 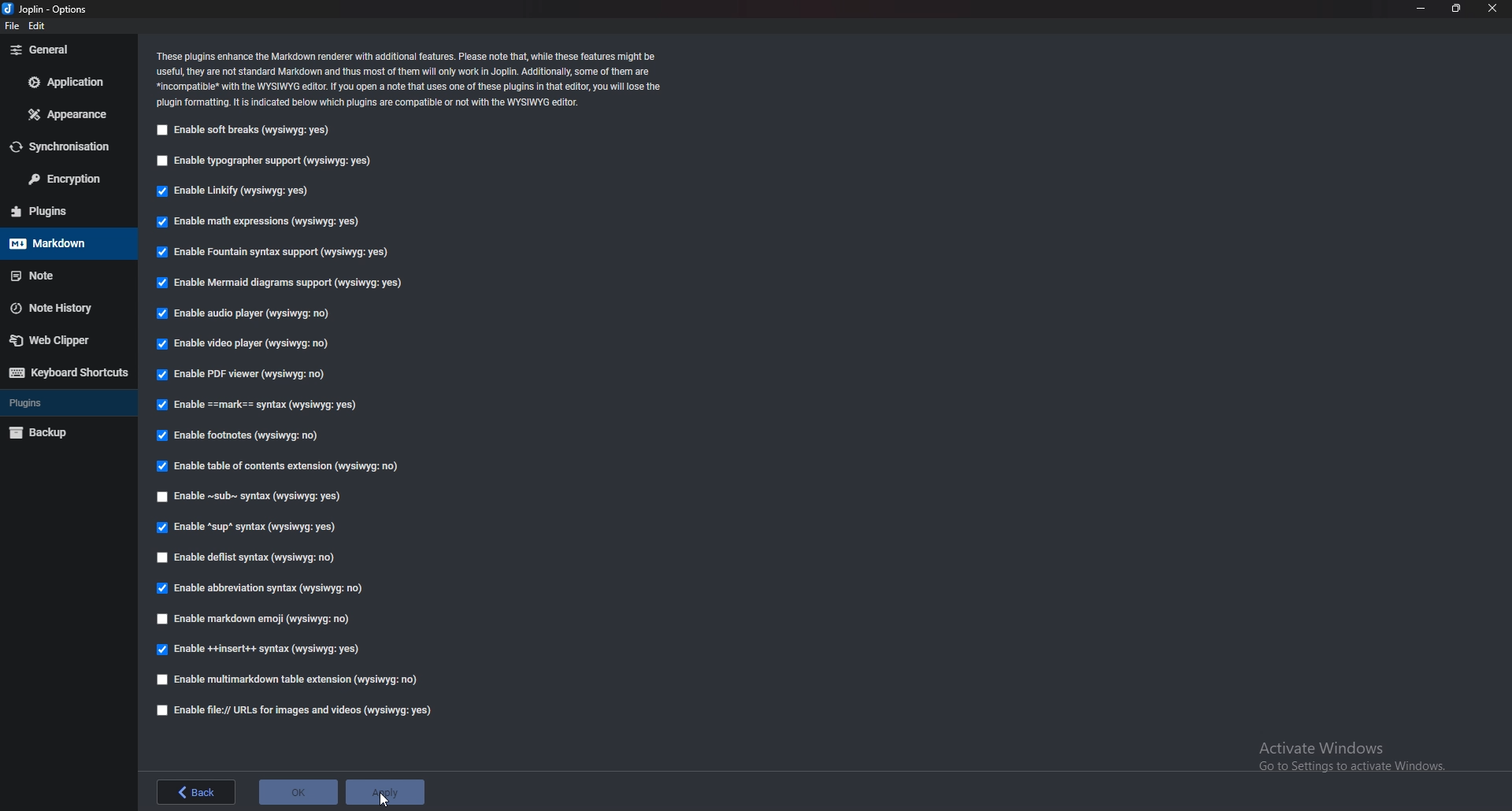 I want to click on markdown, so click(x=61, y=243).